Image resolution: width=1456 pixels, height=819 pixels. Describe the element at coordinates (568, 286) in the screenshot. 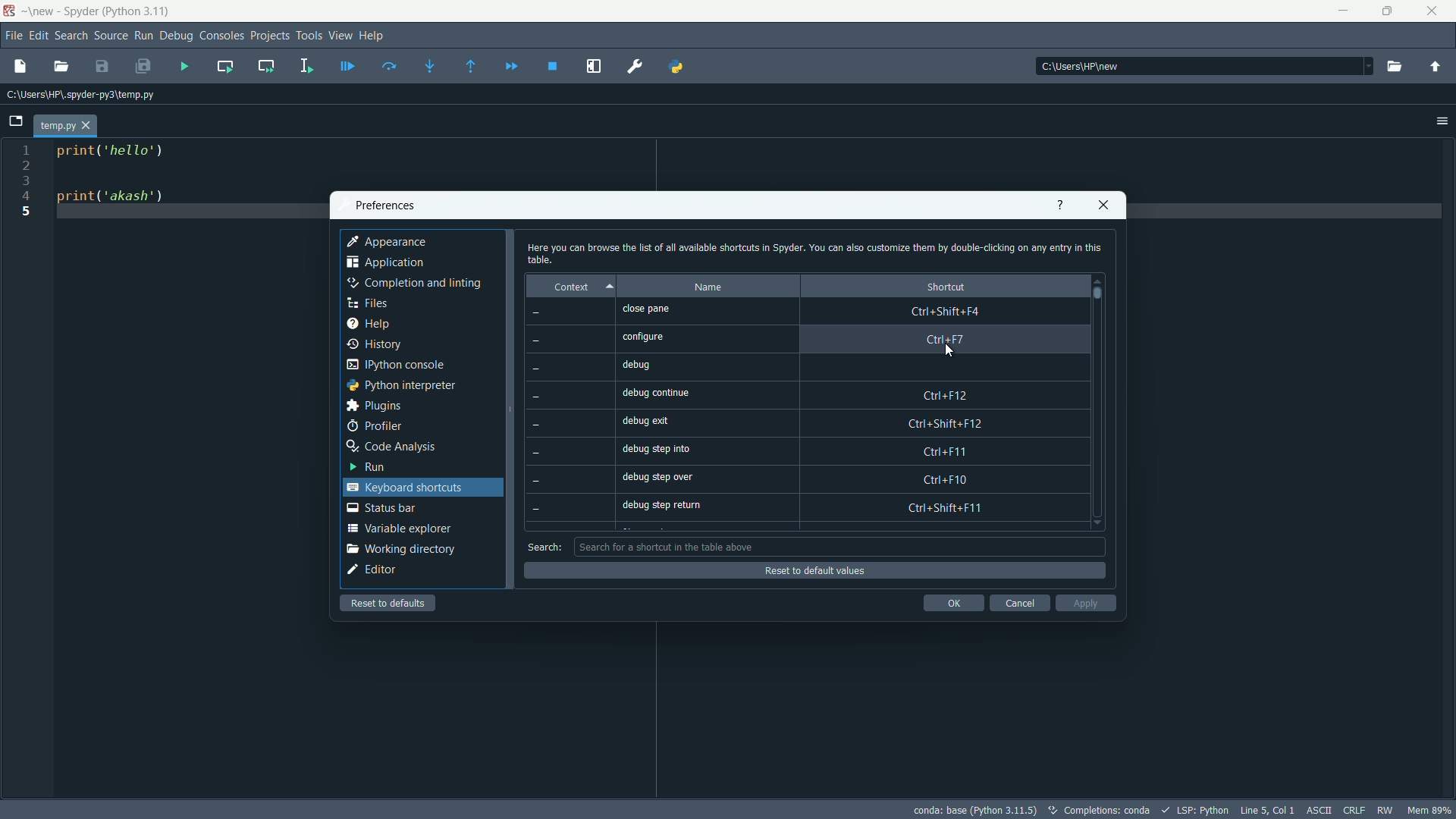

I see `context` at that location.